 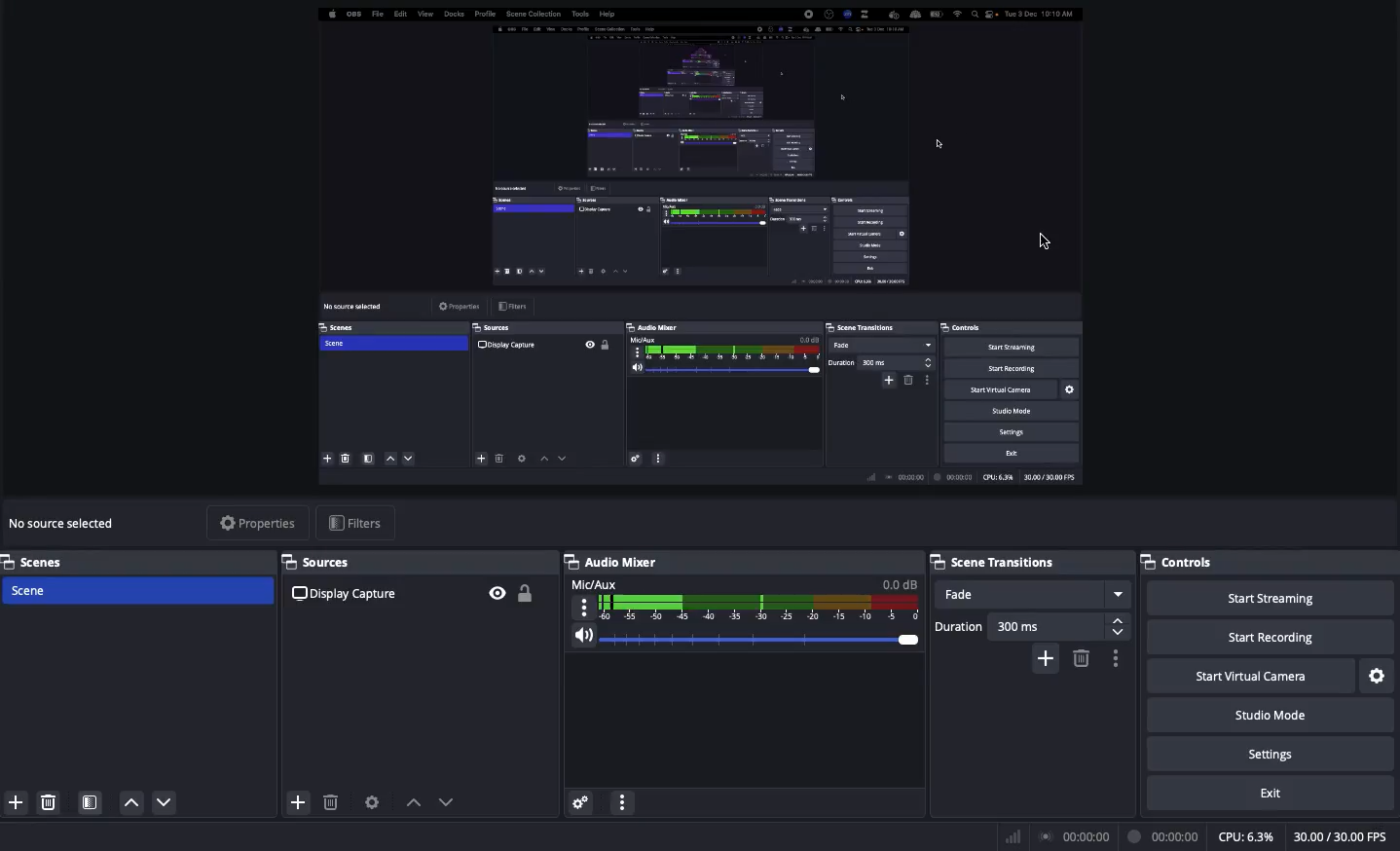 What do you see at coordinates (1013, 836) in the screenshot?
I see `Bar` at bounding box center [1013, 836].